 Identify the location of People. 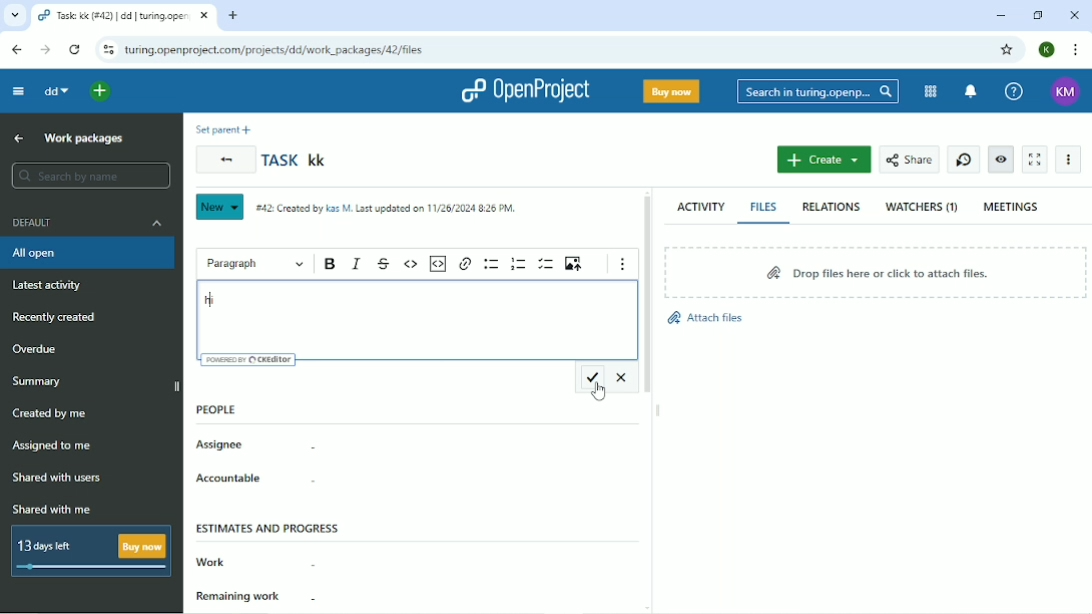
(223, 405).